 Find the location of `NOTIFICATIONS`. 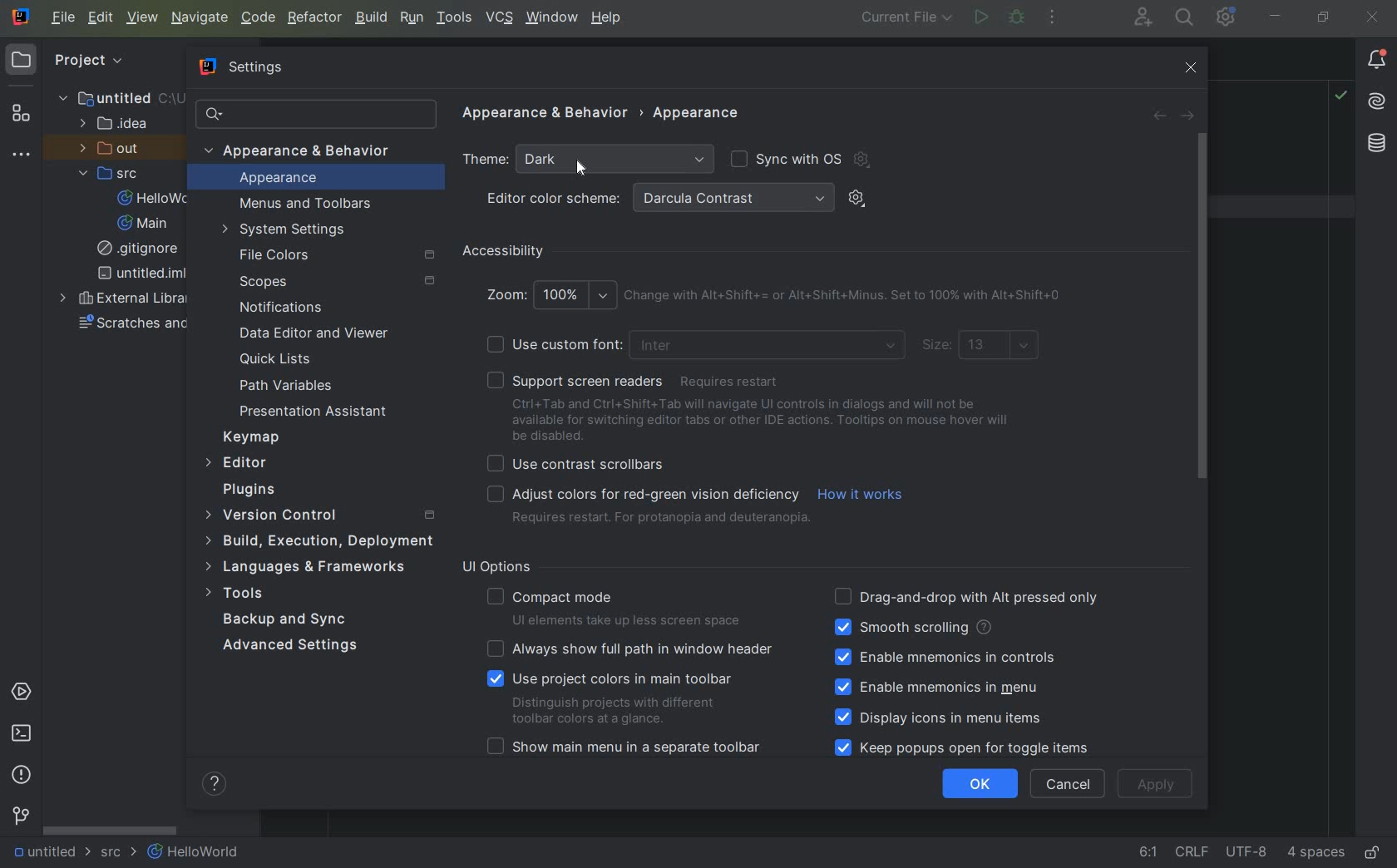

NOTIFICATIONS is located at coordinates (278, 308).